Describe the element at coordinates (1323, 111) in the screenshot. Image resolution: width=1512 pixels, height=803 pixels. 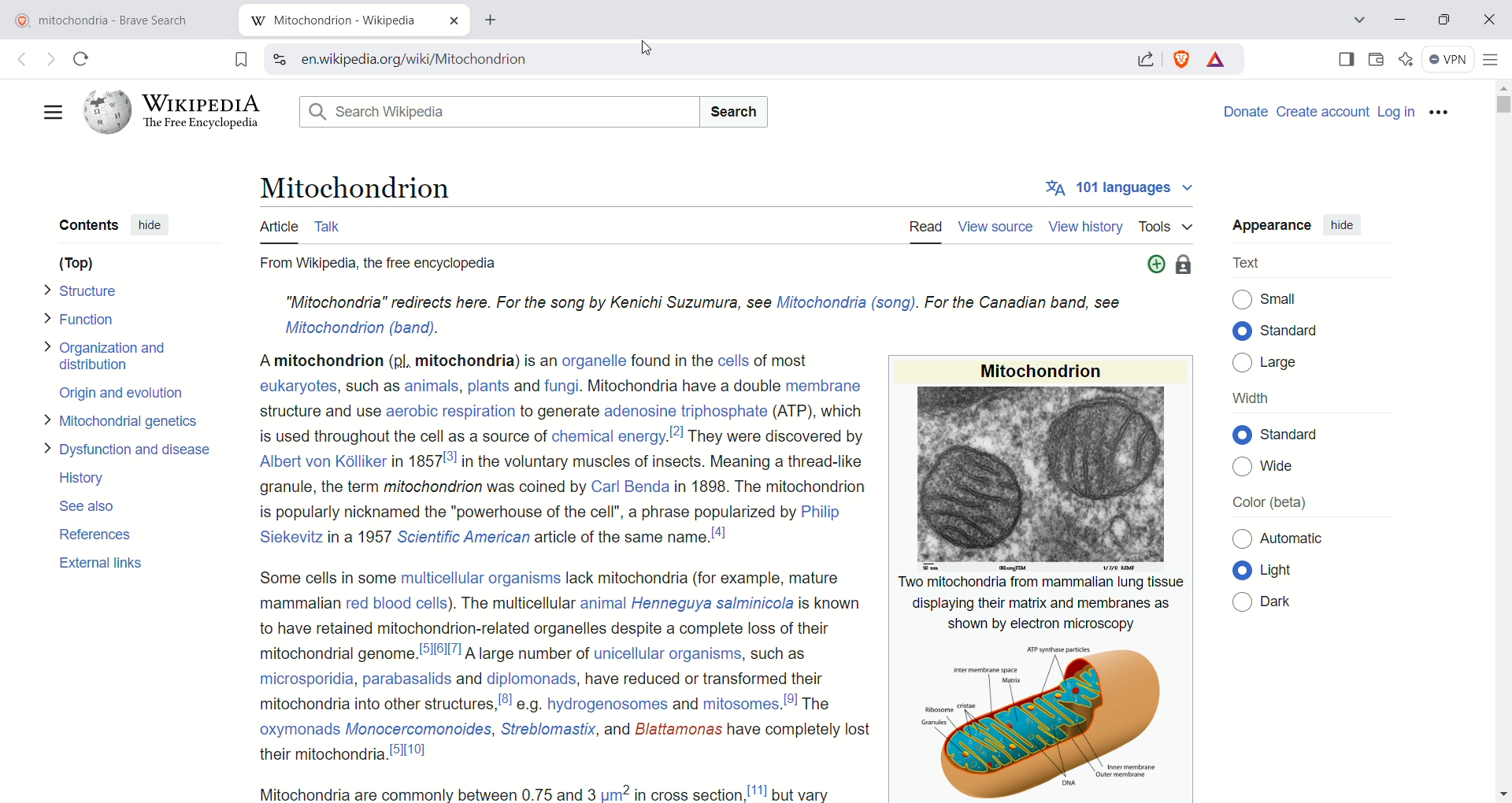
I see `Create account` at that location.